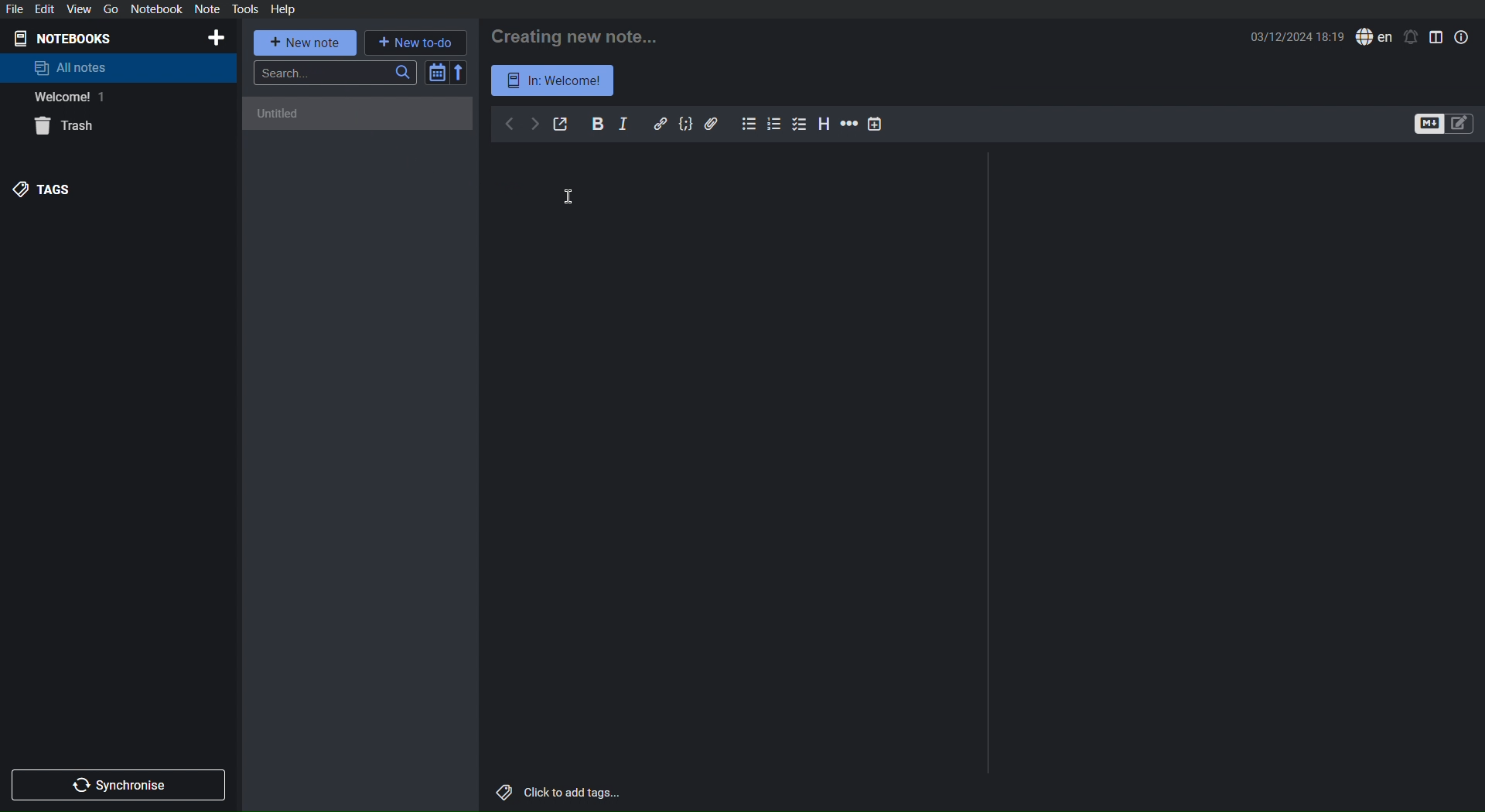 The height and width of the screenshot is (812, 1485). What do you see at coordinates (534, 125) in the screenshot?
I see `Redo` at bounding box center [534, 125].